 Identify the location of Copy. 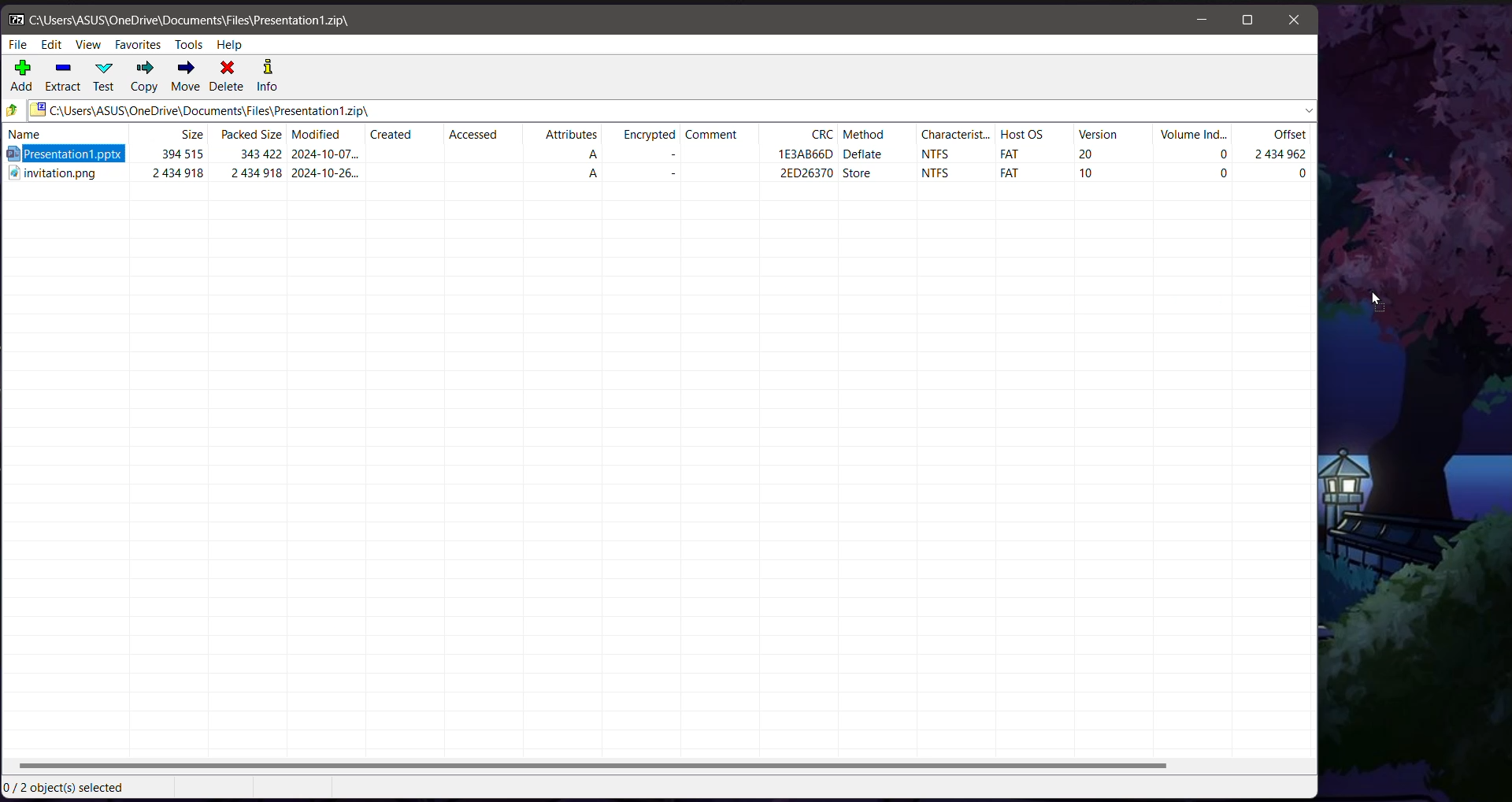
(144, 76).